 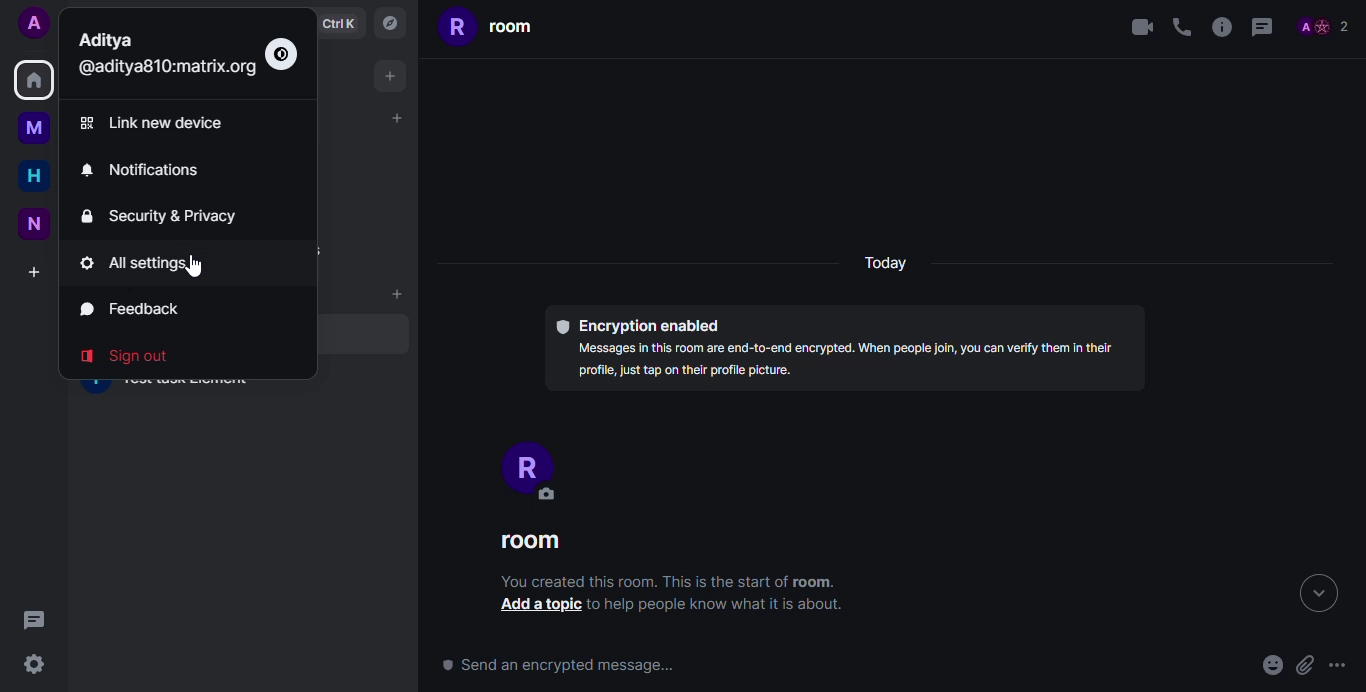 What do you see at coordinates (337, 24) in the screenshot?
I see `ctrlK` at bounding box center [337, 24].